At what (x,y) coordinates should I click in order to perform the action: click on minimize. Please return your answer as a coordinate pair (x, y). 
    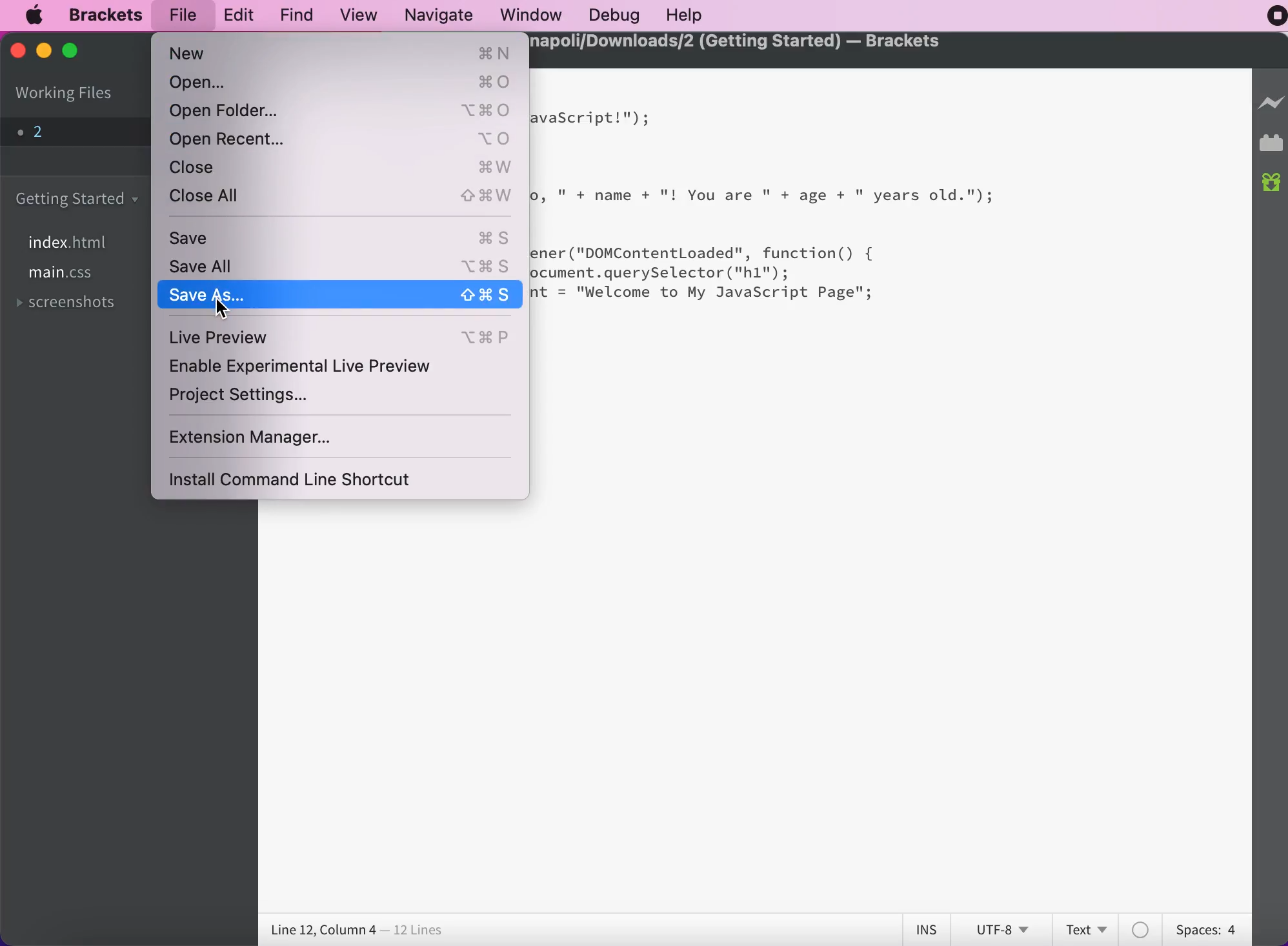
    Looking at the image, I should click on (43, 51).